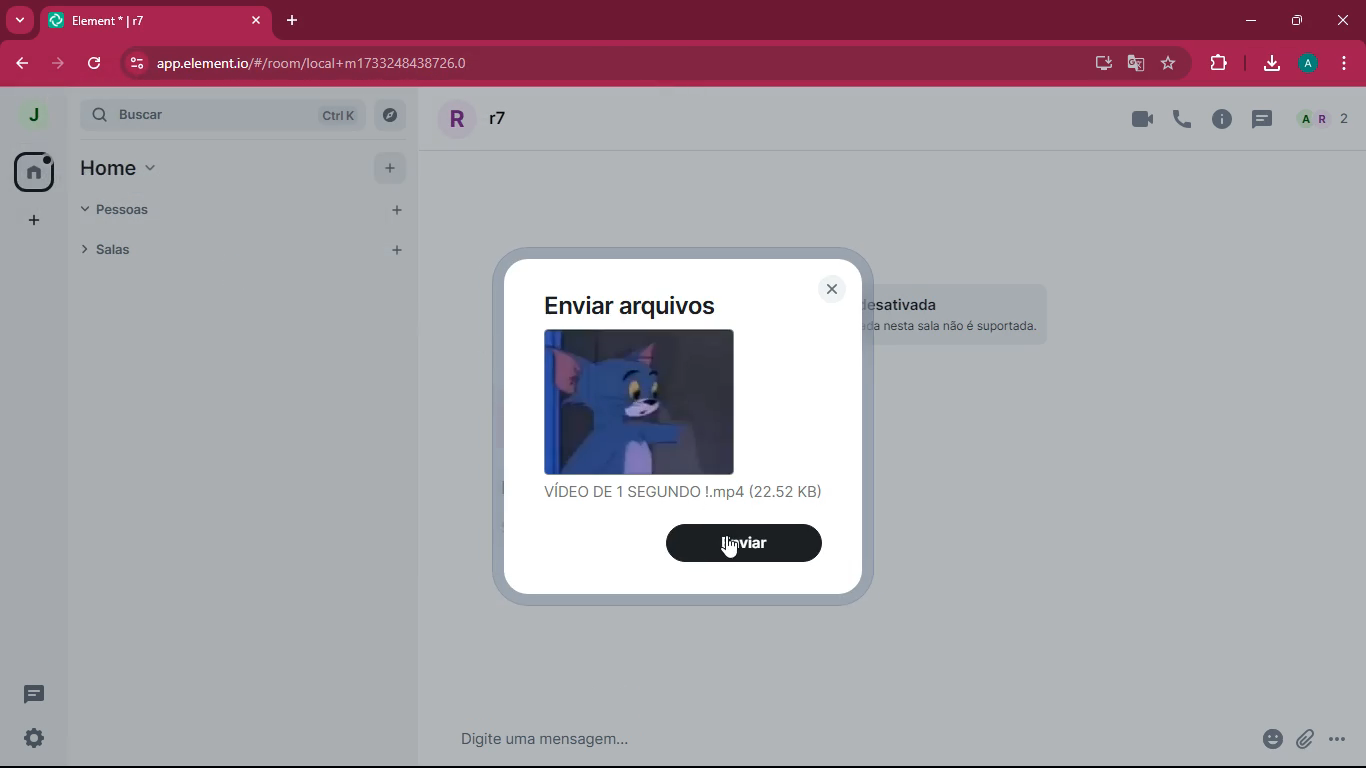 The height and width of the screenshot is (768, 1366). Describe the element at coordinates (1258, 120) in the screenshot. I see `new message` at that location.